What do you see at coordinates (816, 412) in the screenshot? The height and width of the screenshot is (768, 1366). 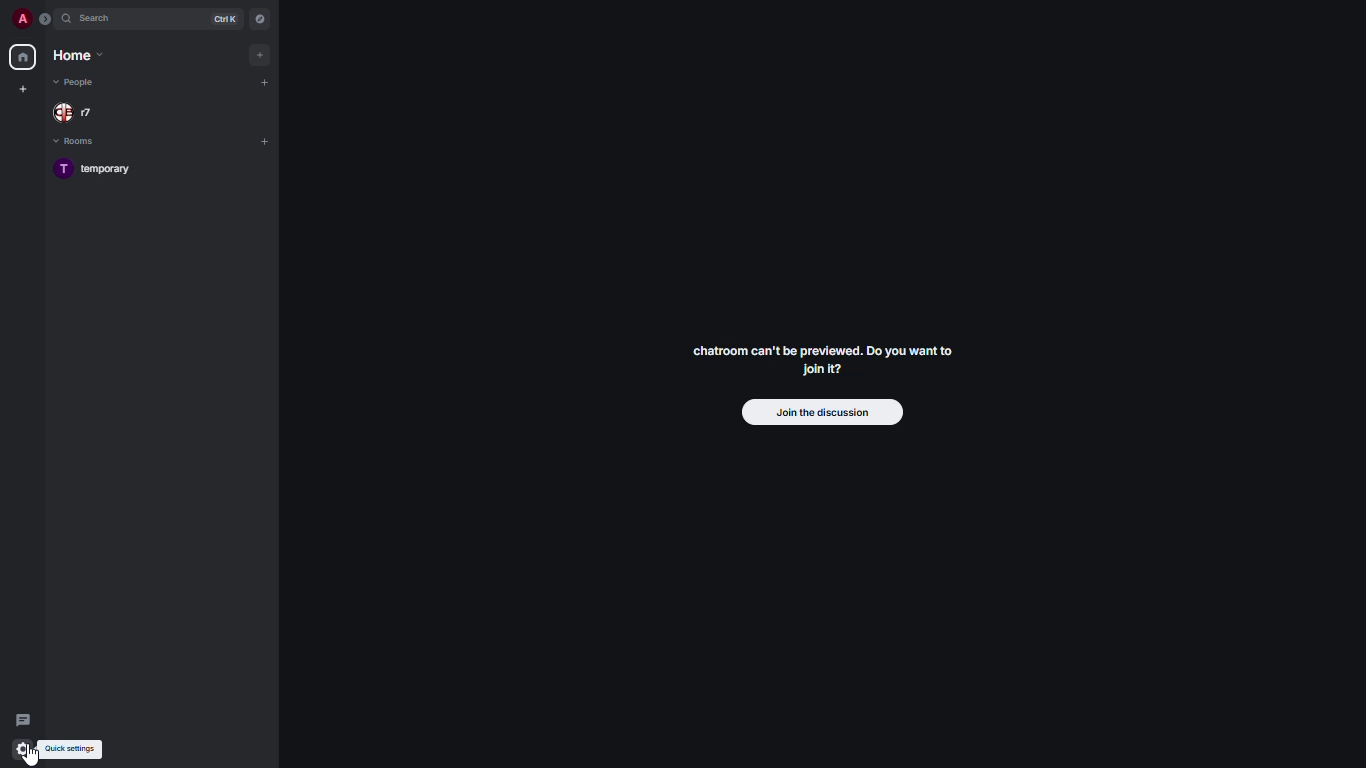 I see `join the discussion` at bounding box center [816, 412].